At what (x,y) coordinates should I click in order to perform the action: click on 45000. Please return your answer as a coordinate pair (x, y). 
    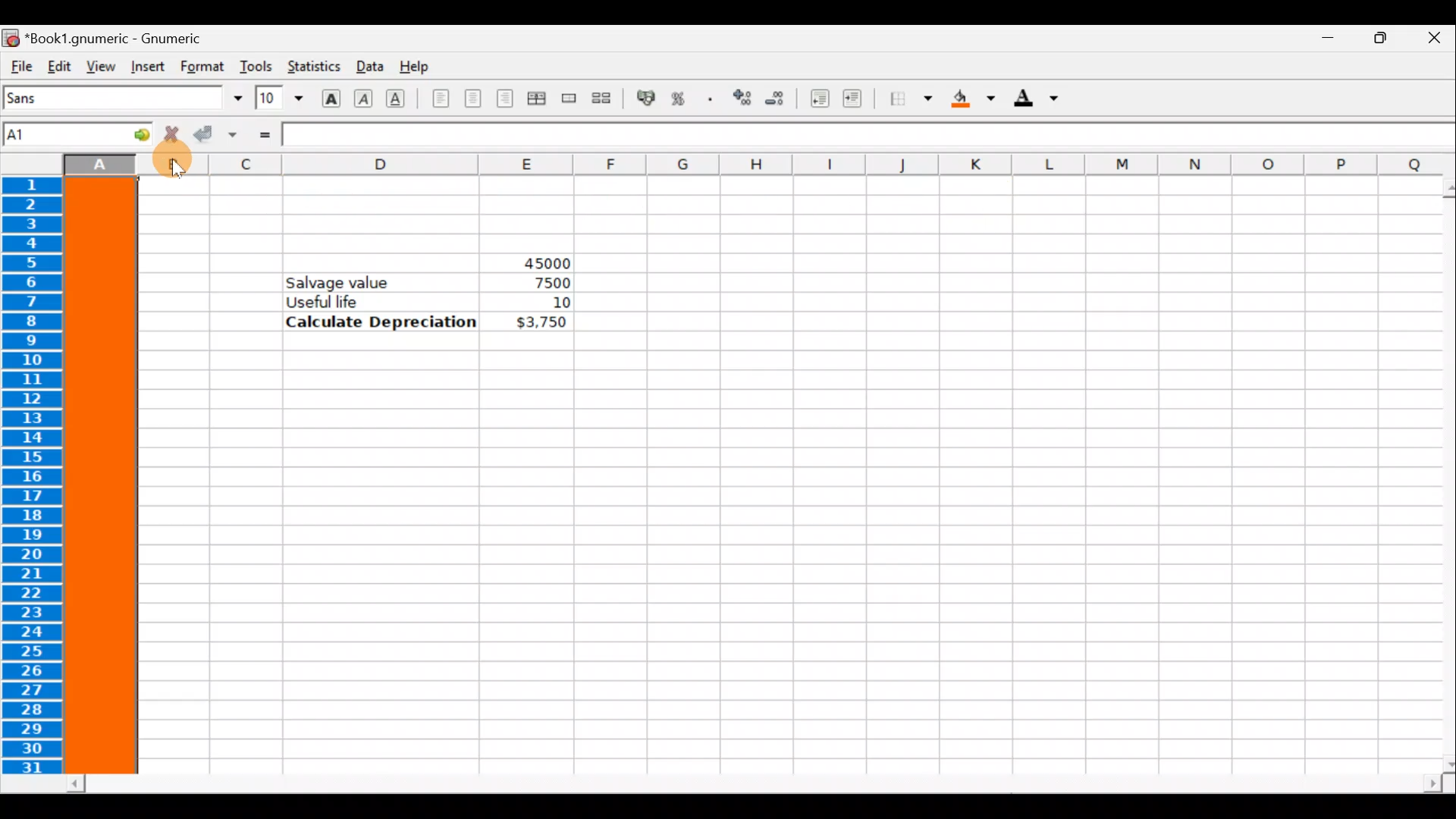
    Looking at the image, I should click on (533, 260).